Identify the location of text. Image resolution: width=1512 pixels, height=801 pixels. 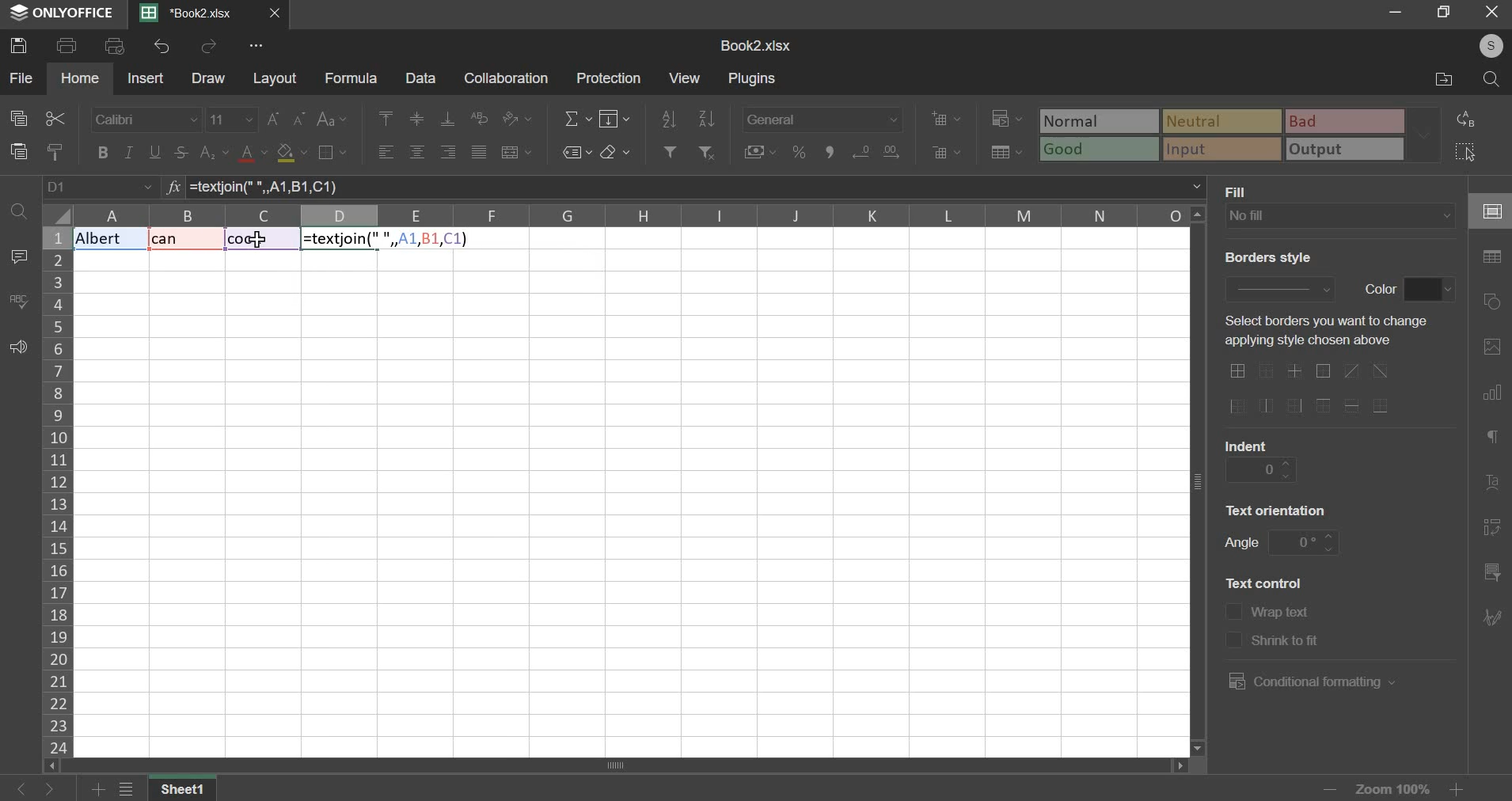
(1380, 287).